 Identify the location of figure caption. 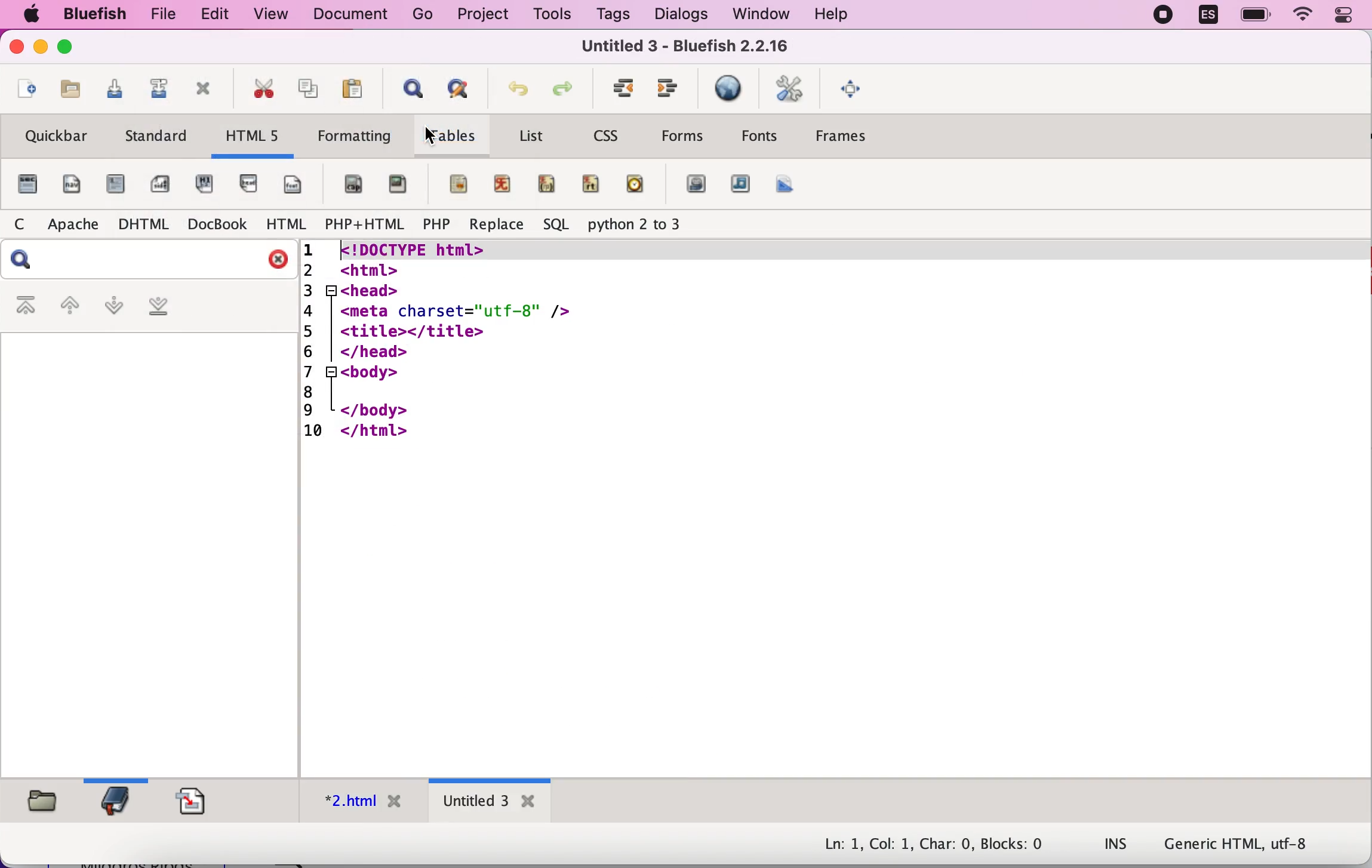
(349, 183).